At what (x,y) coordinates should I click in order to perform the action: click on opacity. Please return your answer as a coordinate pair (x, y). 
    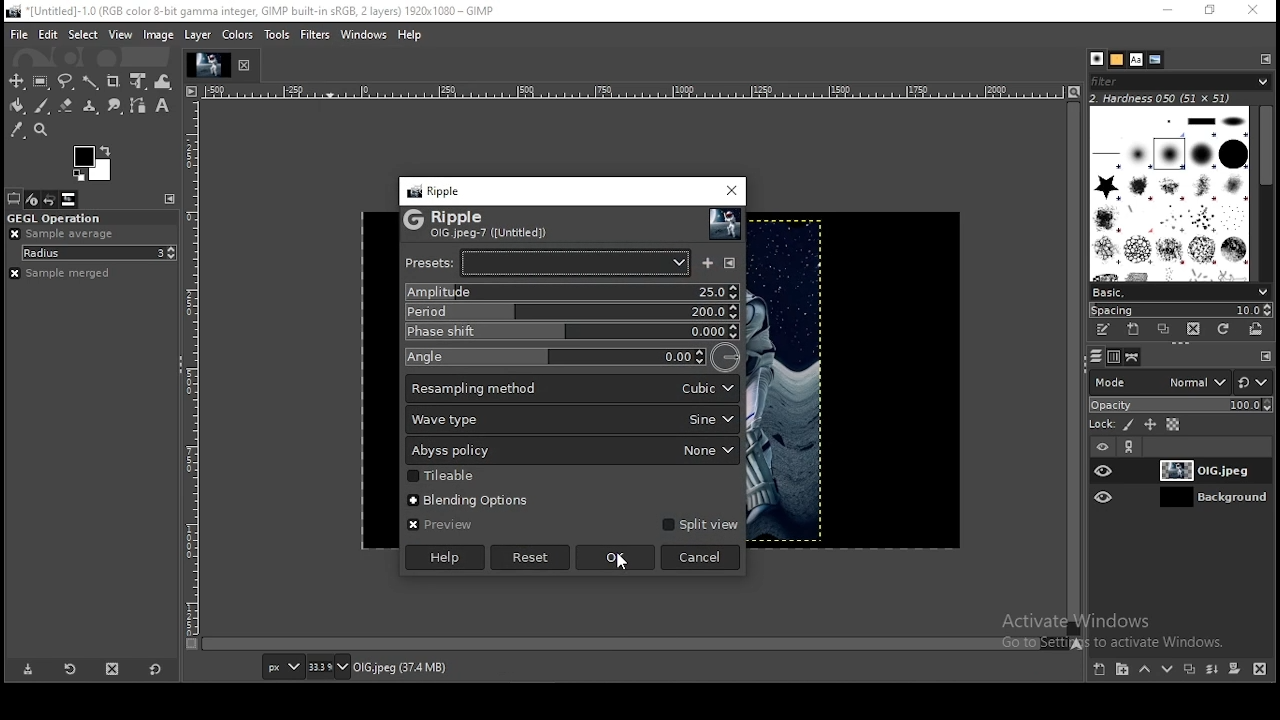
    Looking at the image, I should click on (1180, 404).